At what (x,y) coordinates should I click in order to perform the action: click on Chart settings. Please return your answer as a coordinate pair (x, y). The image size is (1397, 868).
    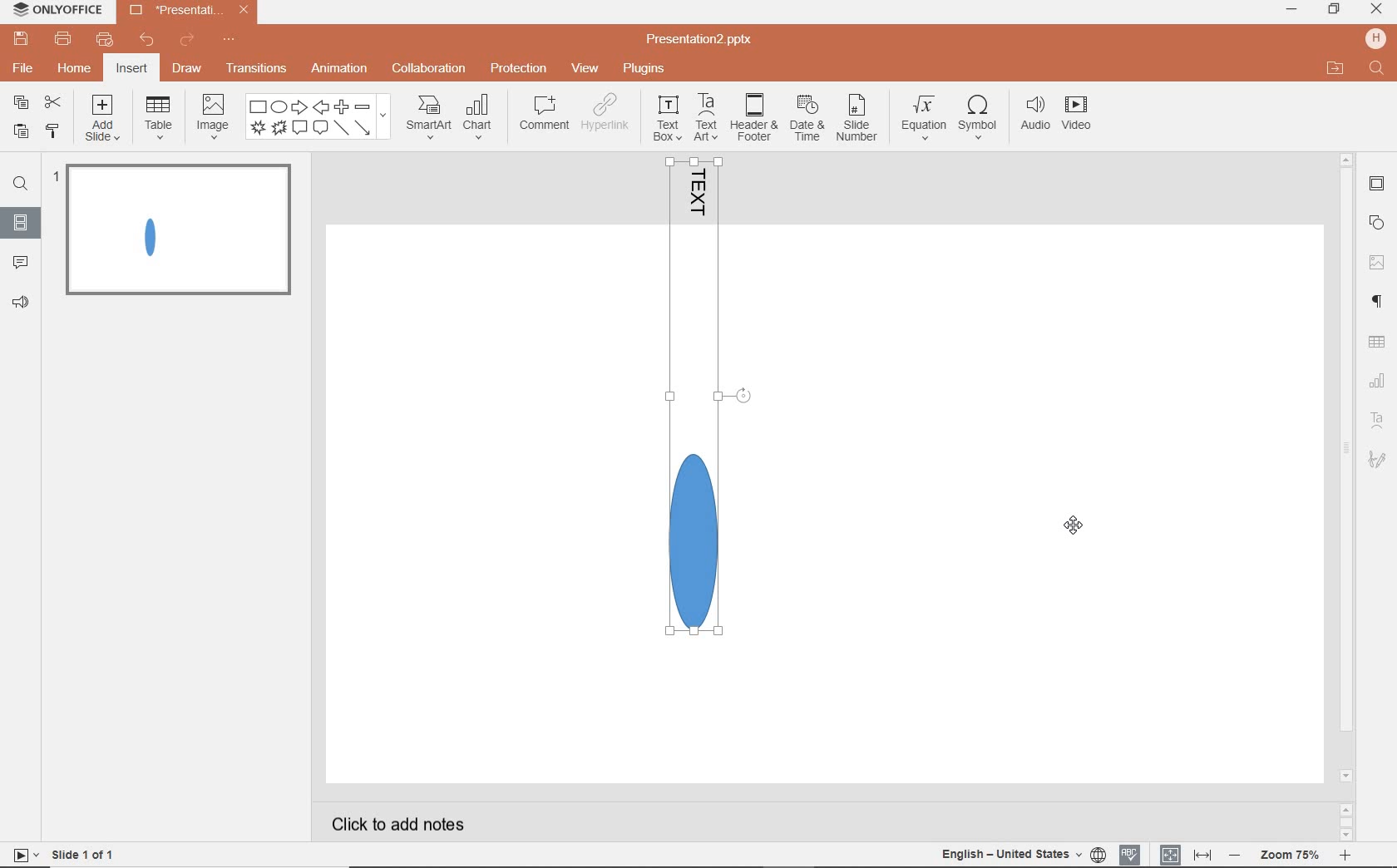
    Looking at the image, I should click on (1376, 380).